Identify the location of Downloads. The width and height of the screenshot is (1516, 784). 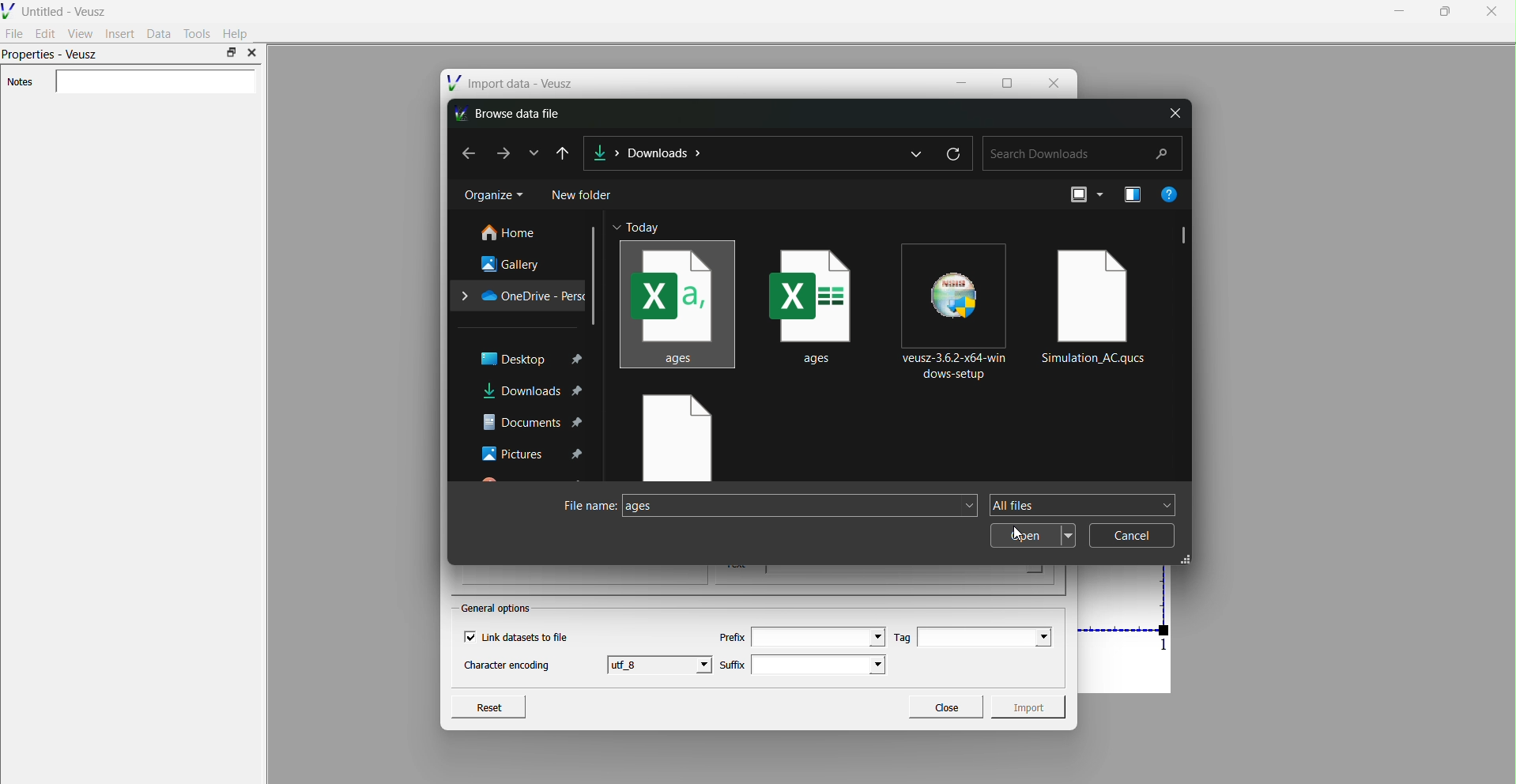
(532, 392).